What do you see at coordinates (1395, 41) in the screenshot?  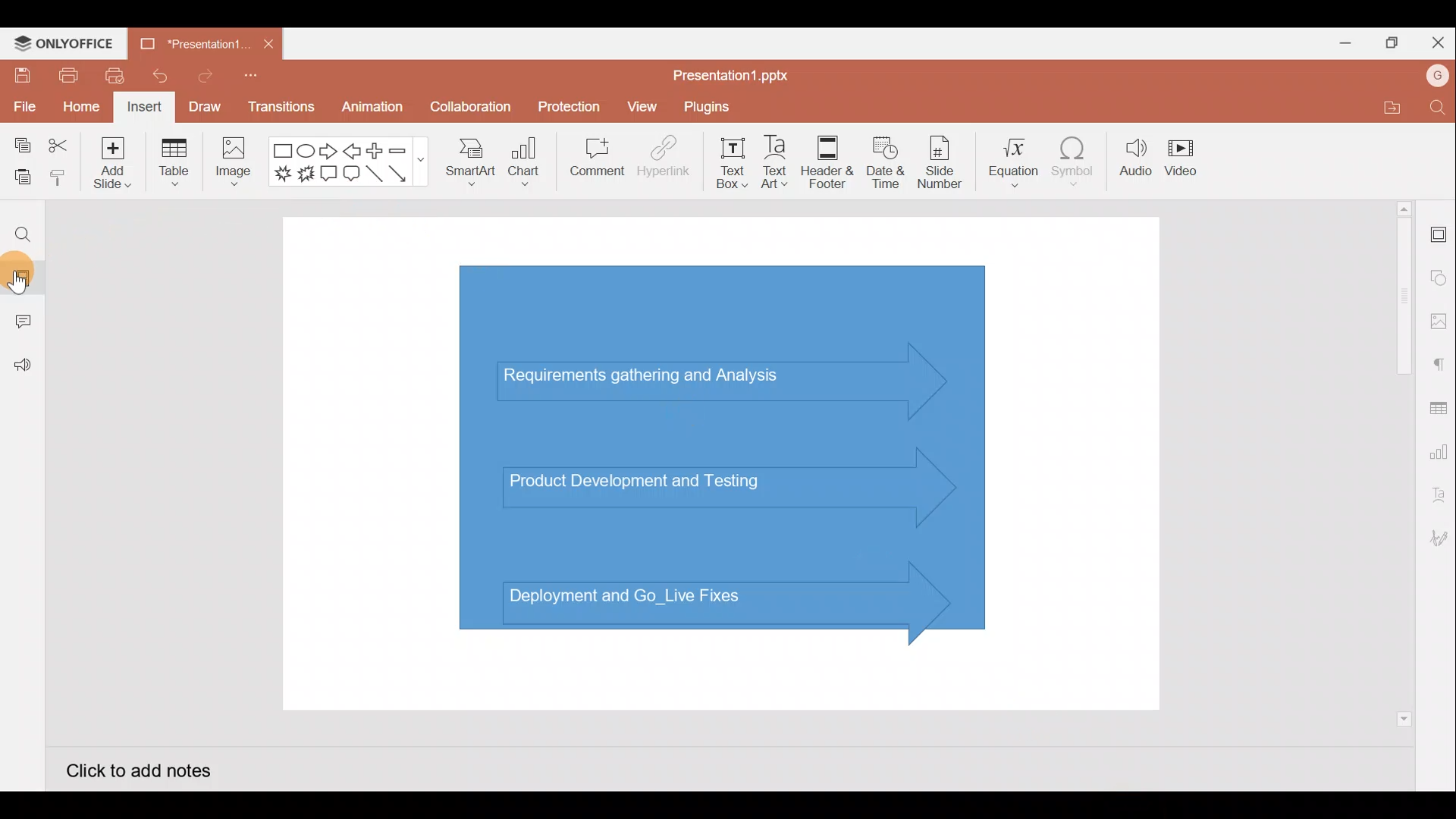 I see `Maximize` at bounding box center [1395, 41].